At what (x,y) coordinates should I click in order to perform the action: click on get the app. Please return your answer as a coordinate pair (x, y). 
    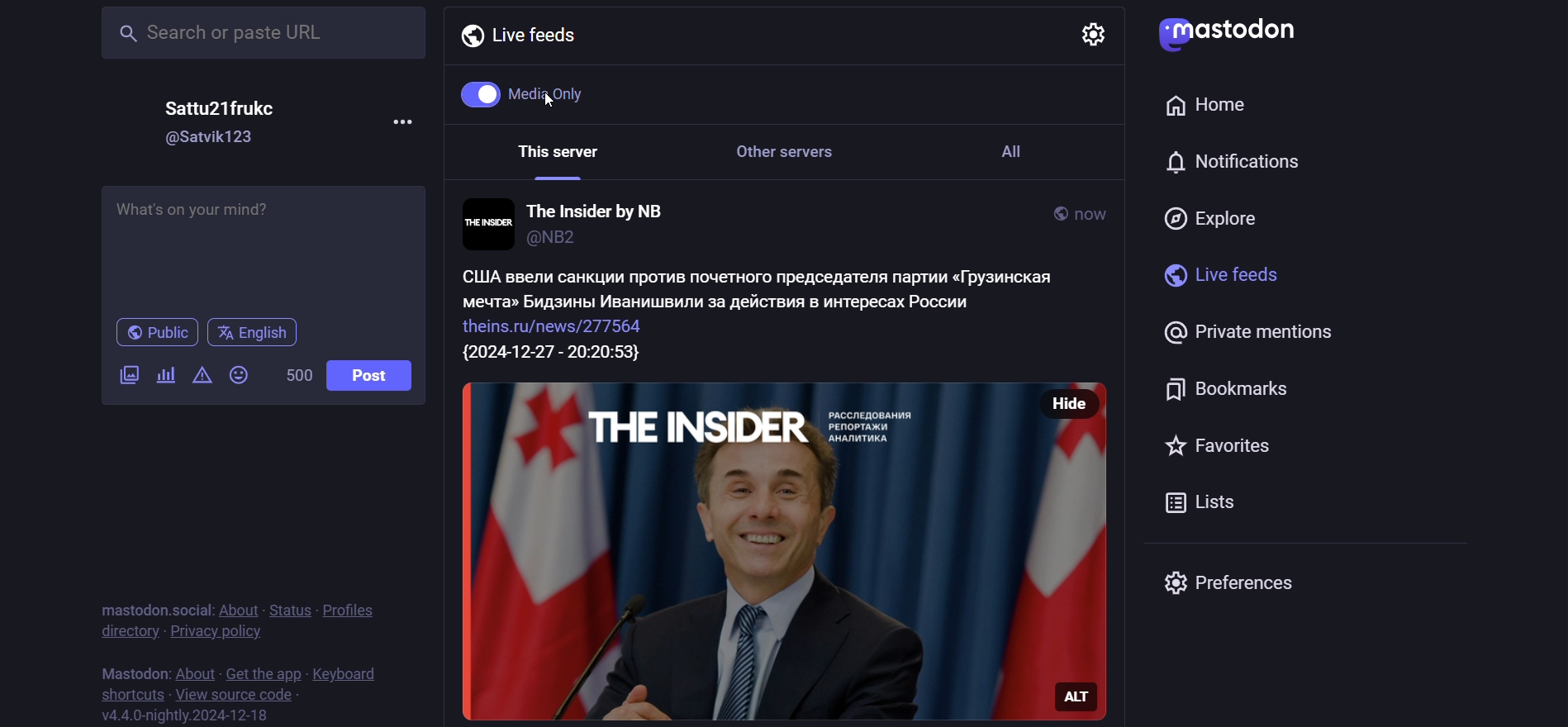
    Looking at the image, I should click on (259, 672).